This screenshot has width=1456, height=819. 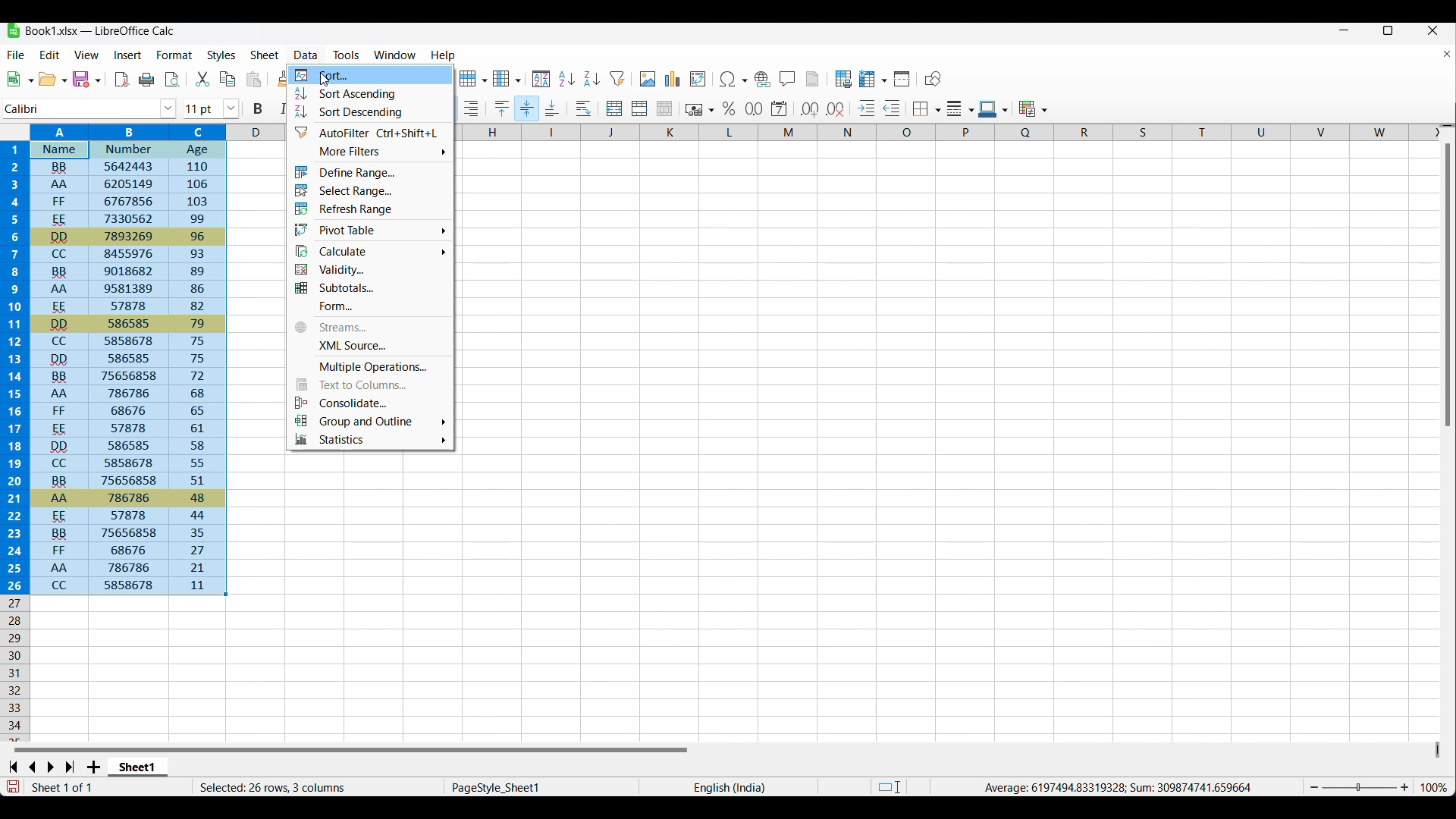 What do you see at coordinates (370, 439) in the screenshot?
I see `Statistics options` at bounding box center [370, 439].